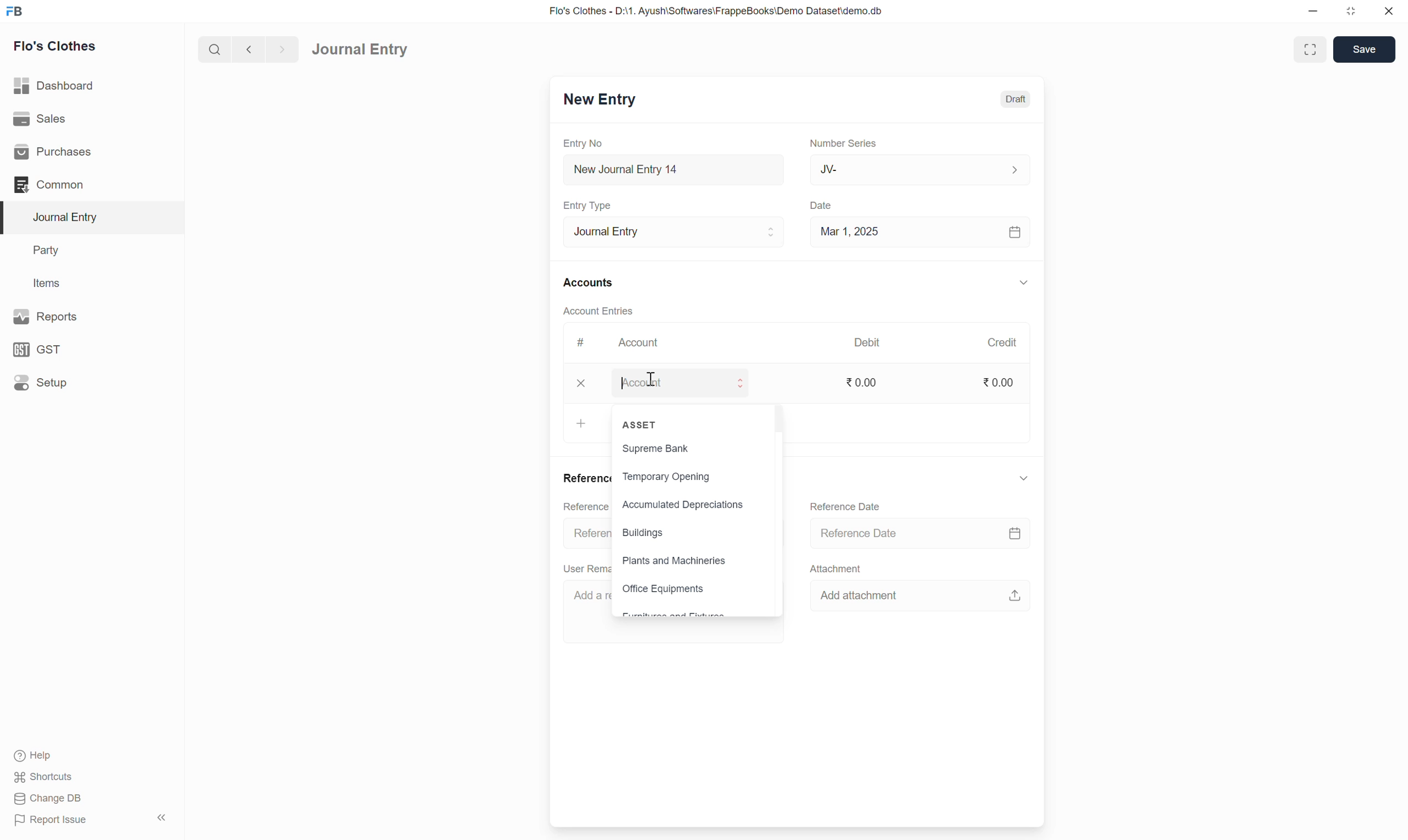  I want to click on Reference Date, so click(862, 532).